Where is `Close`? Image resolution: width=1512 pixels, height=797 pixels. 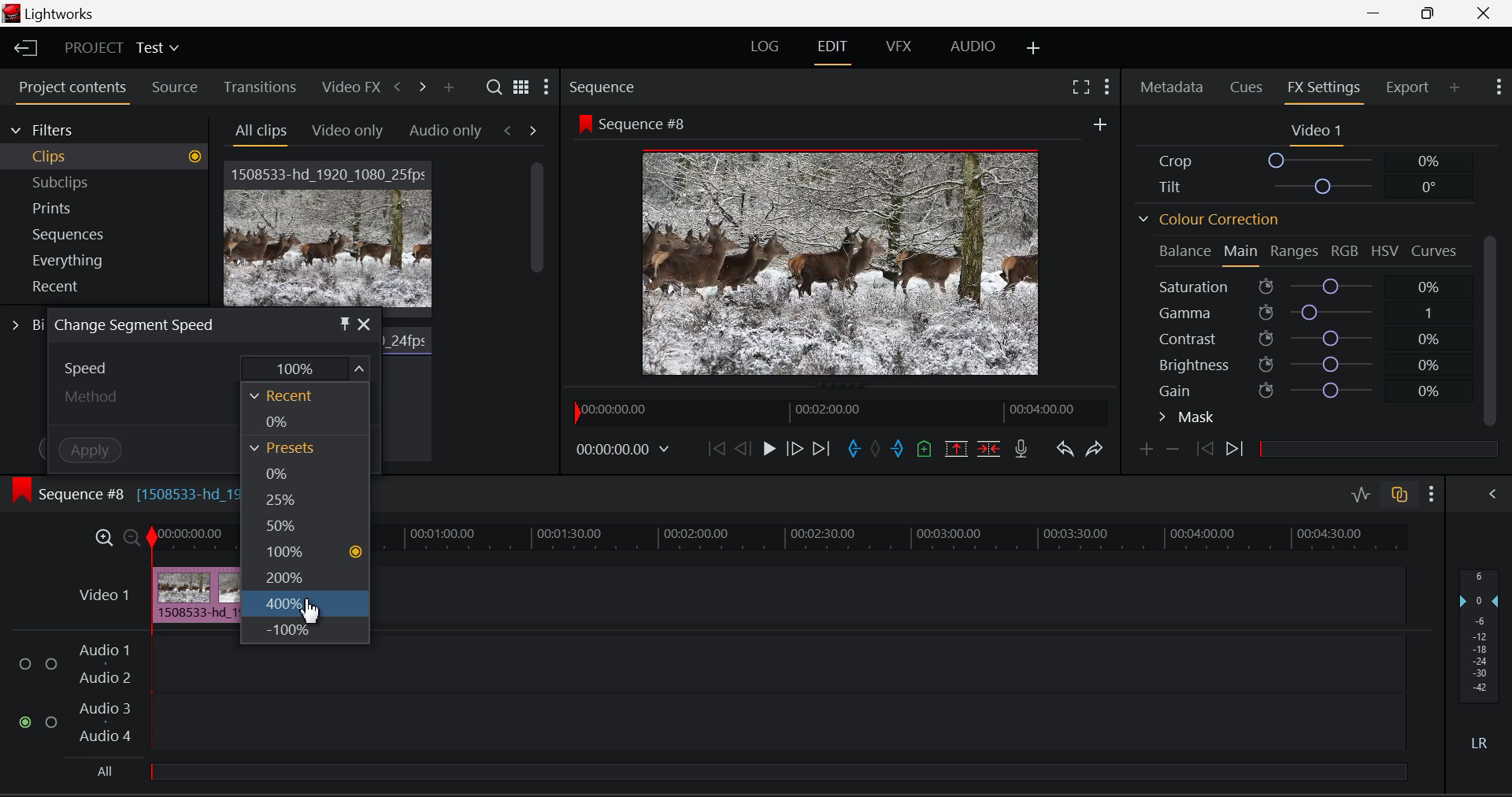
Close is located at coordinates (1484, 13).